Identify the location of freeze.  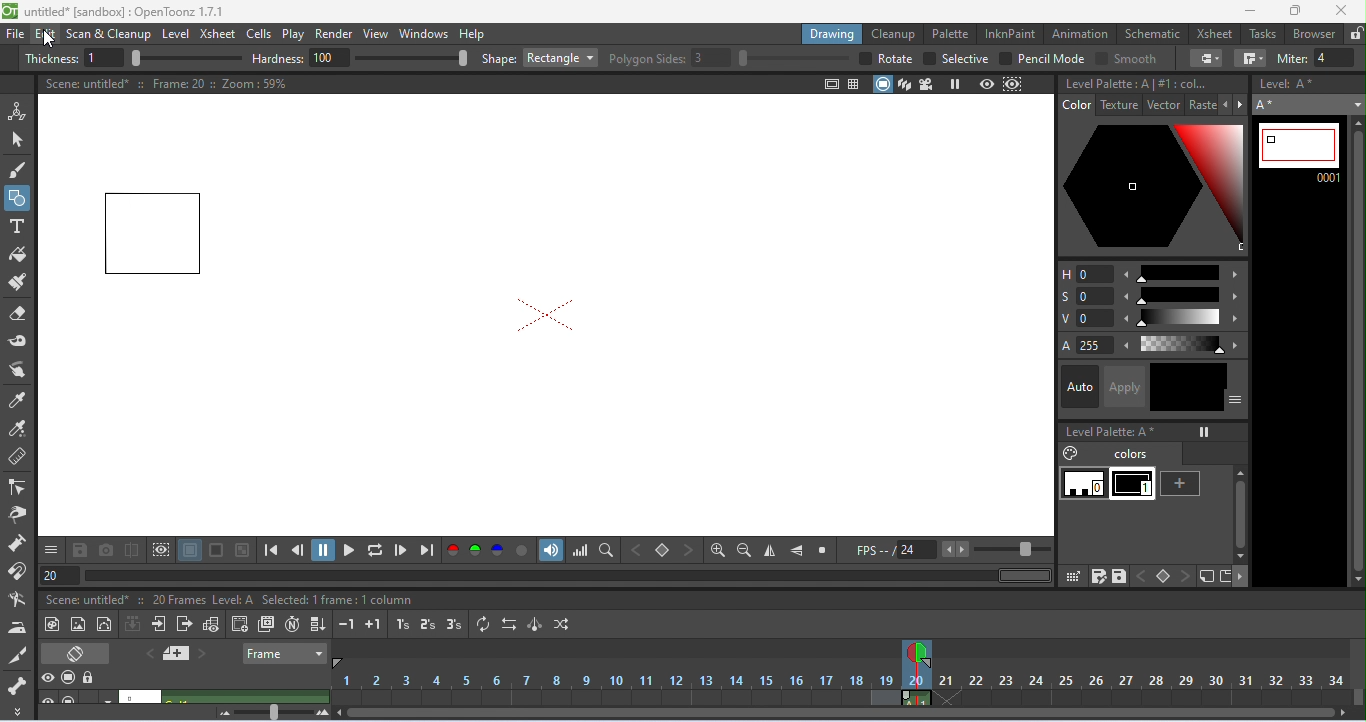
(1204, 432).